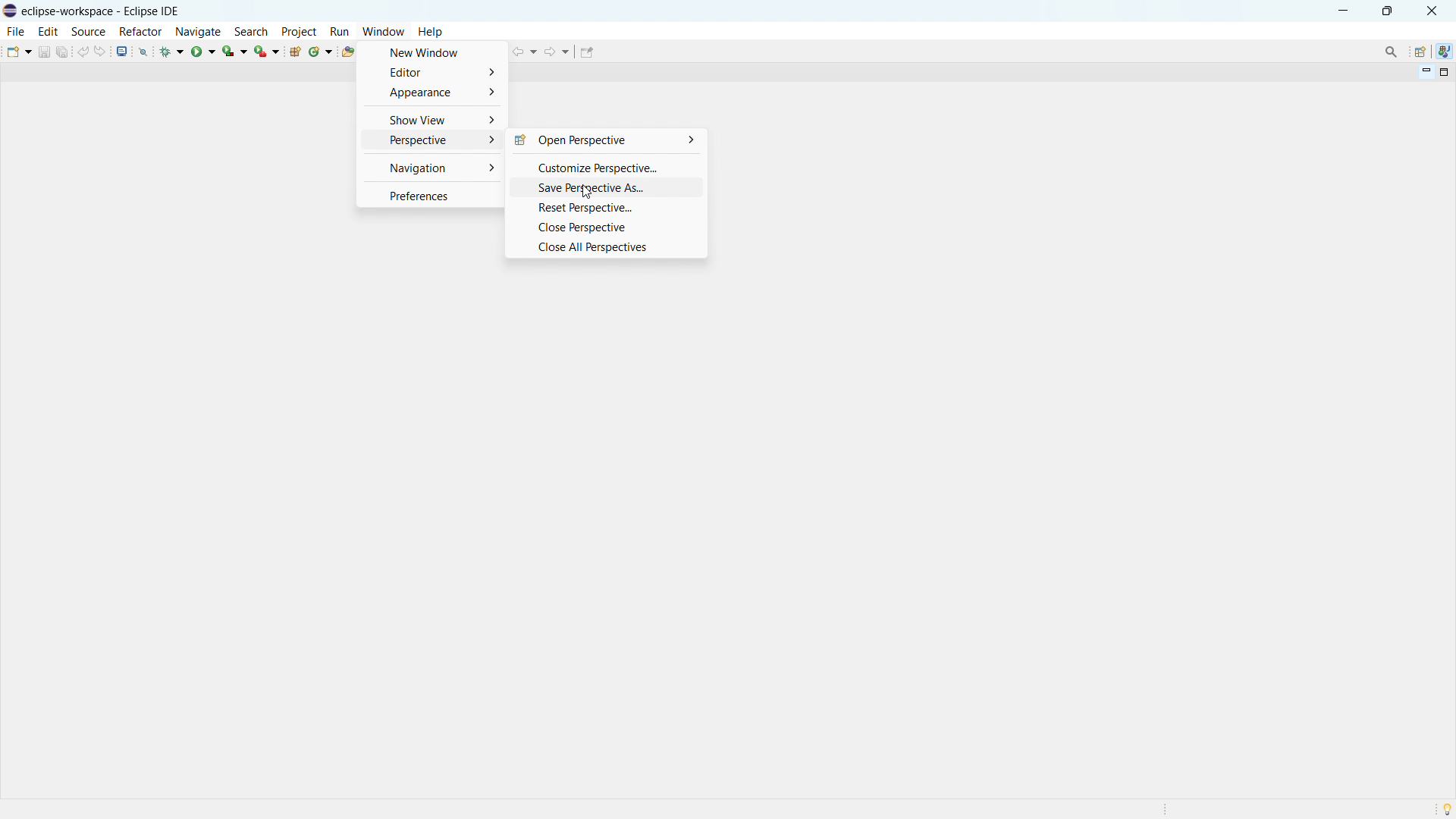 This screenshot has width=1456, height=819. I want to click on edit, so click(49, 31).